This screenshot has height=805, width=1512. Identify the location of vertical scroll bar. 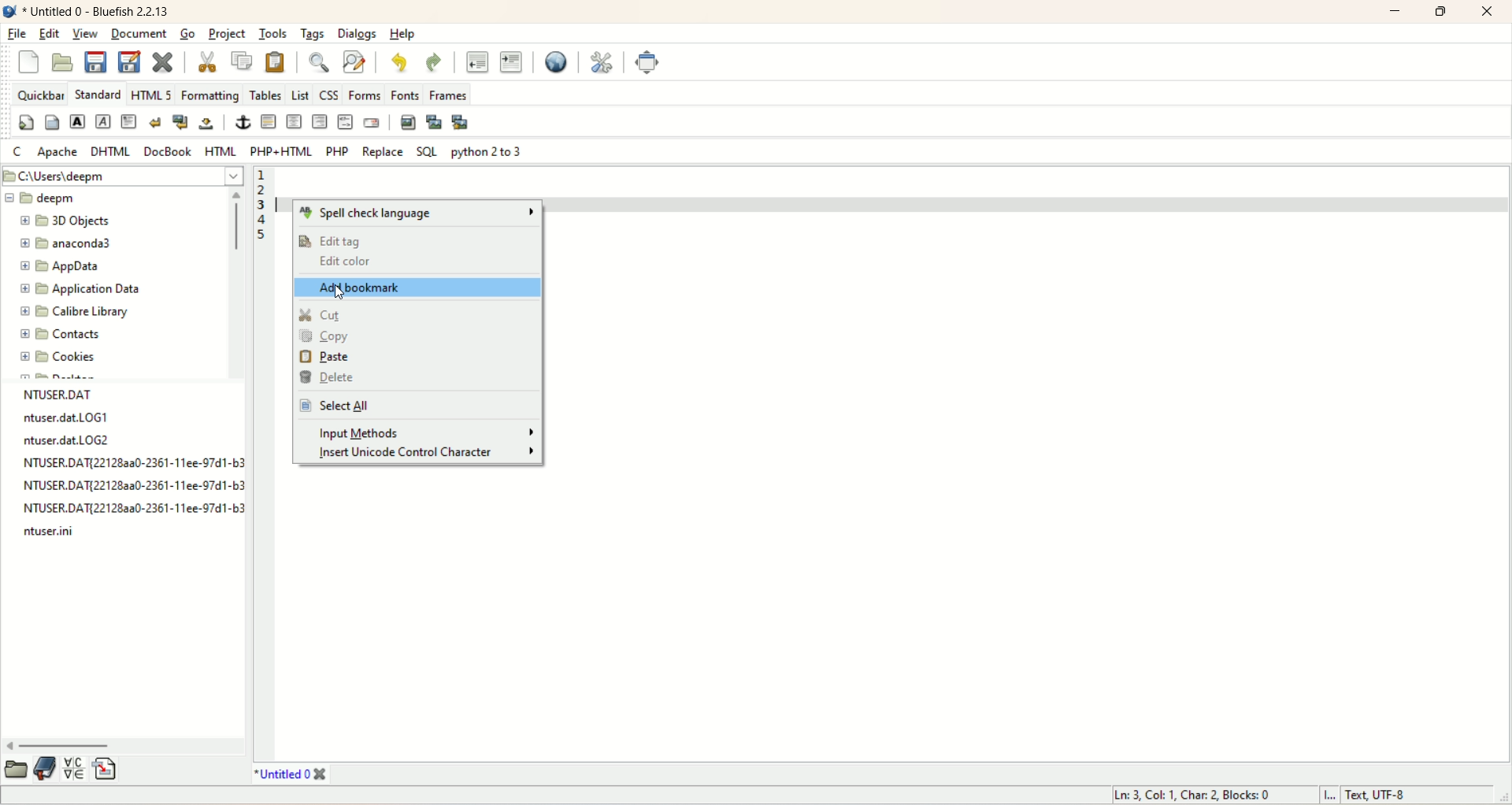
(234, 283).